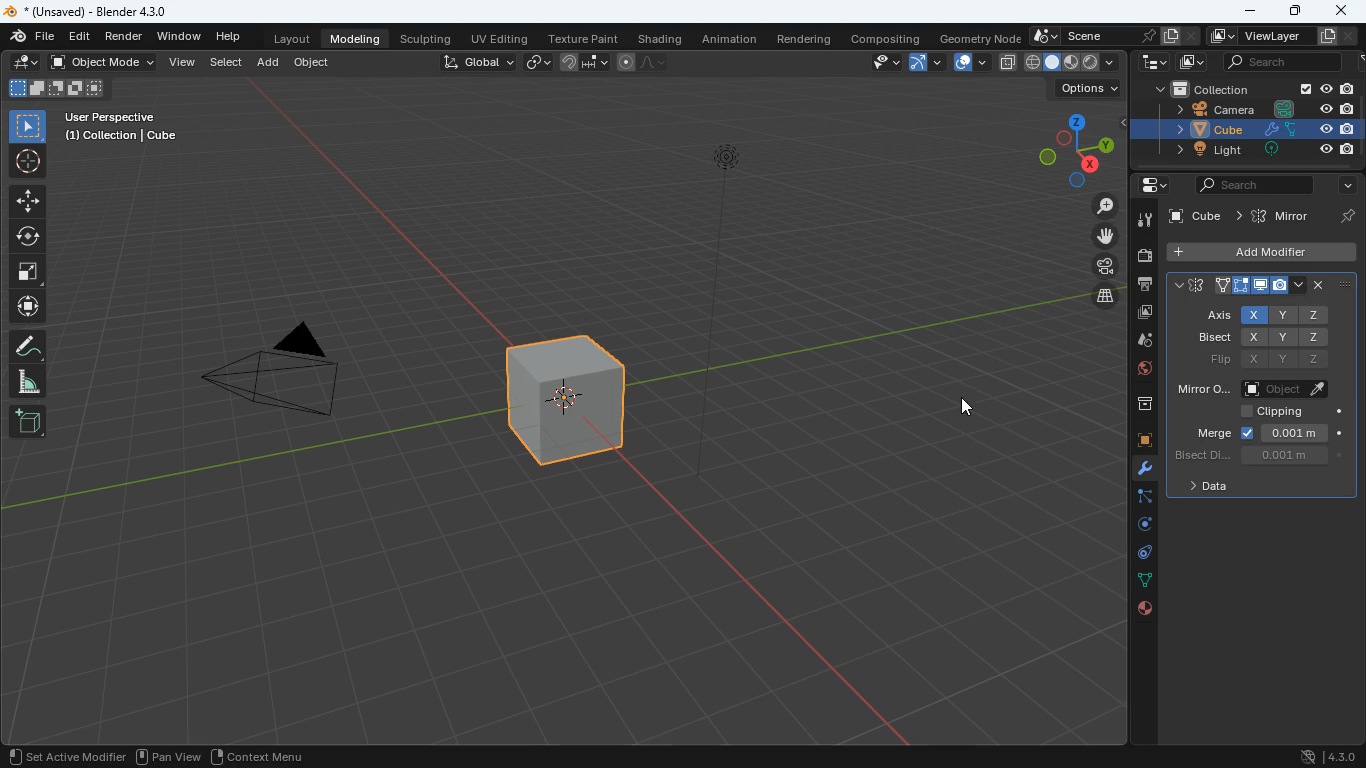 The width and height of the screenshot is (1366, 768). What do you see at coordinates (1008, 63) in the screenshot?
I see `copy` at bounding box center [1008, 63].